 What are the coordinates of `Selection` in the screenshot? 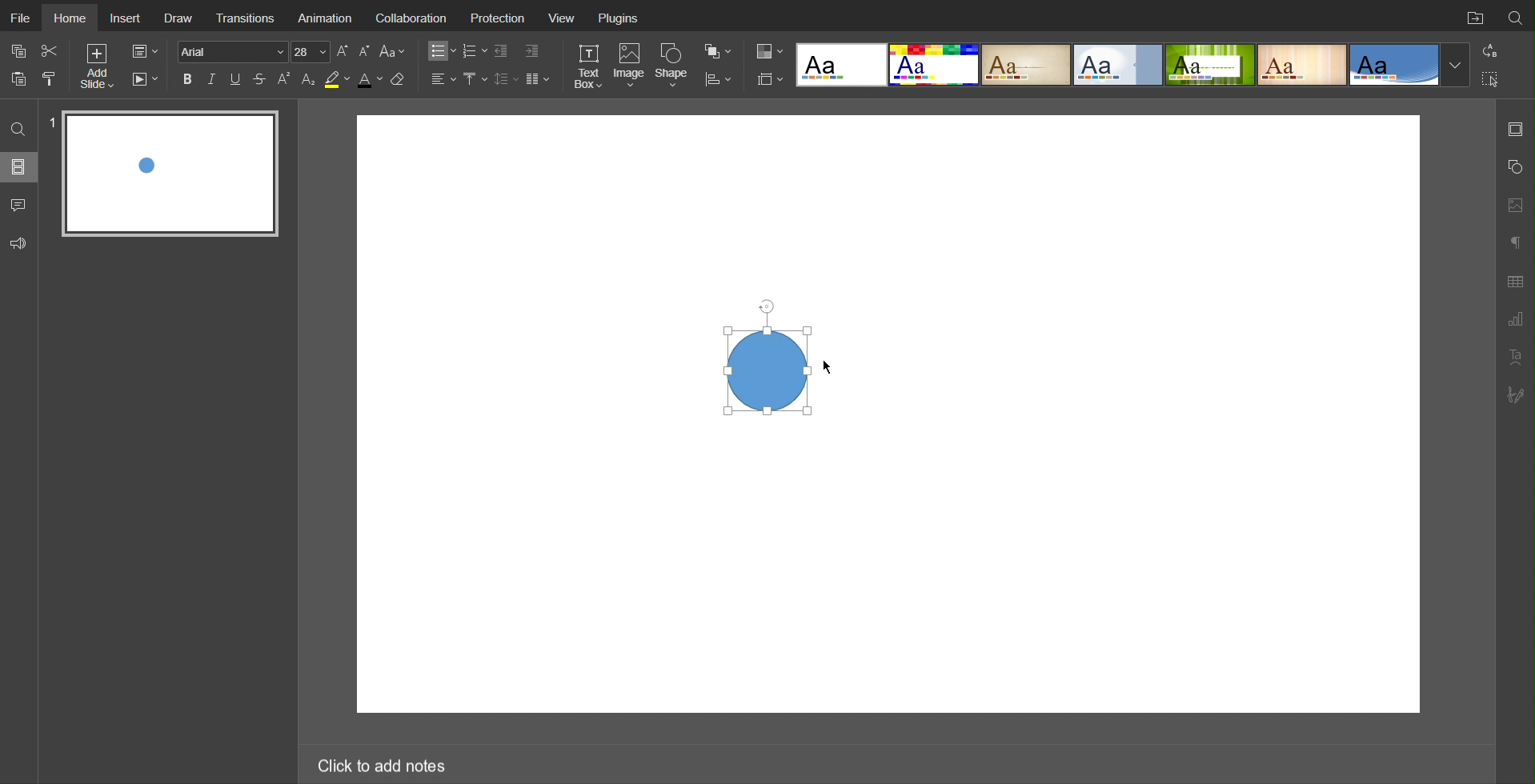 It's located at (1491, 78).